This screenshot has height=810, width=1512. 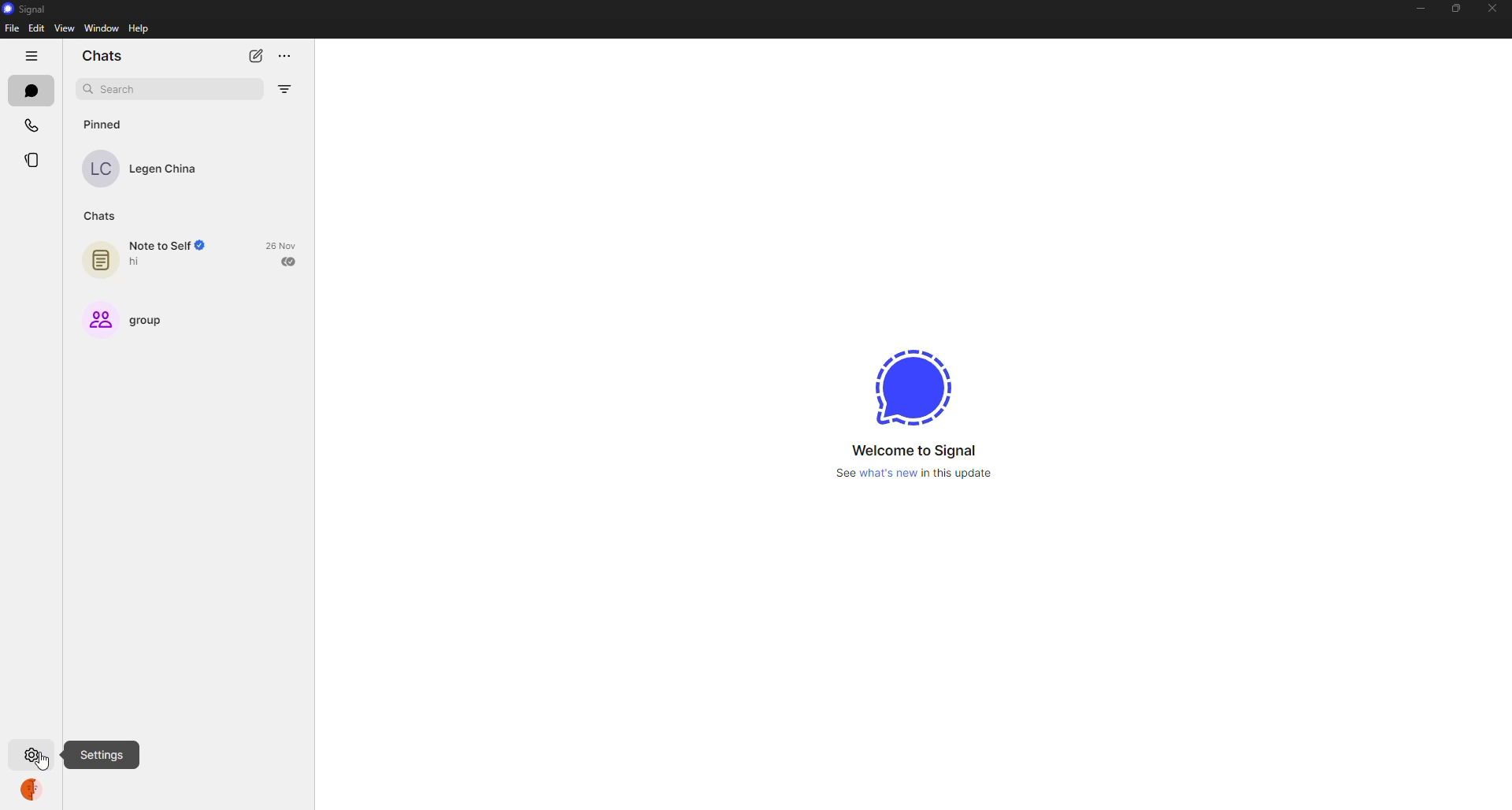 What do you see at coordinates (31, 124) in the screenshot?
I see `calls` at bounding box center [31, 124].